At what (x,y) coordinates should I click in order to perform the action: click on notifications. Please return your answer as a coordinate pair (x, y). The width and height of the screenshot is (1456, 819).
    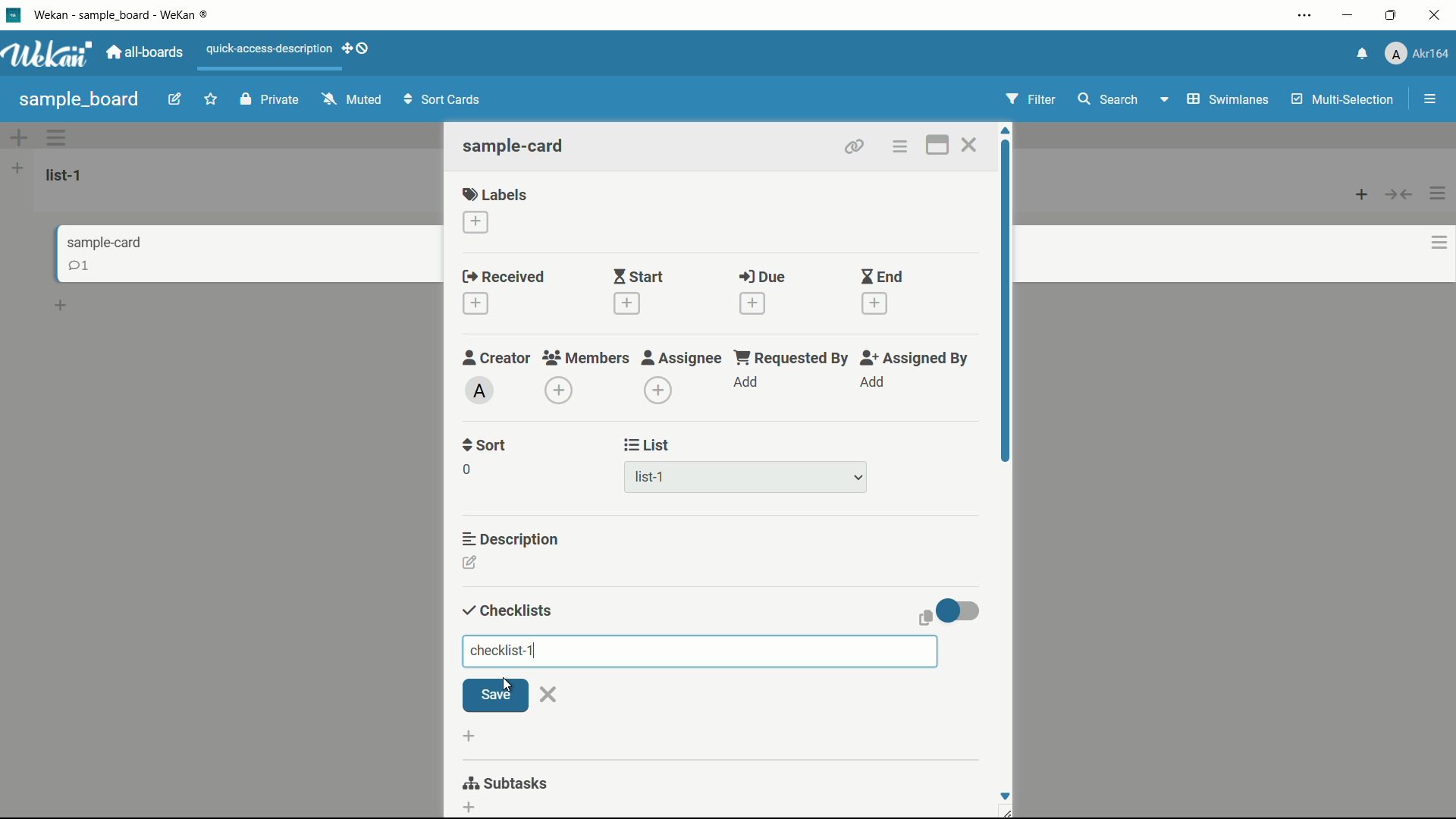
    Looking at the image, I should click on (1363, 54).